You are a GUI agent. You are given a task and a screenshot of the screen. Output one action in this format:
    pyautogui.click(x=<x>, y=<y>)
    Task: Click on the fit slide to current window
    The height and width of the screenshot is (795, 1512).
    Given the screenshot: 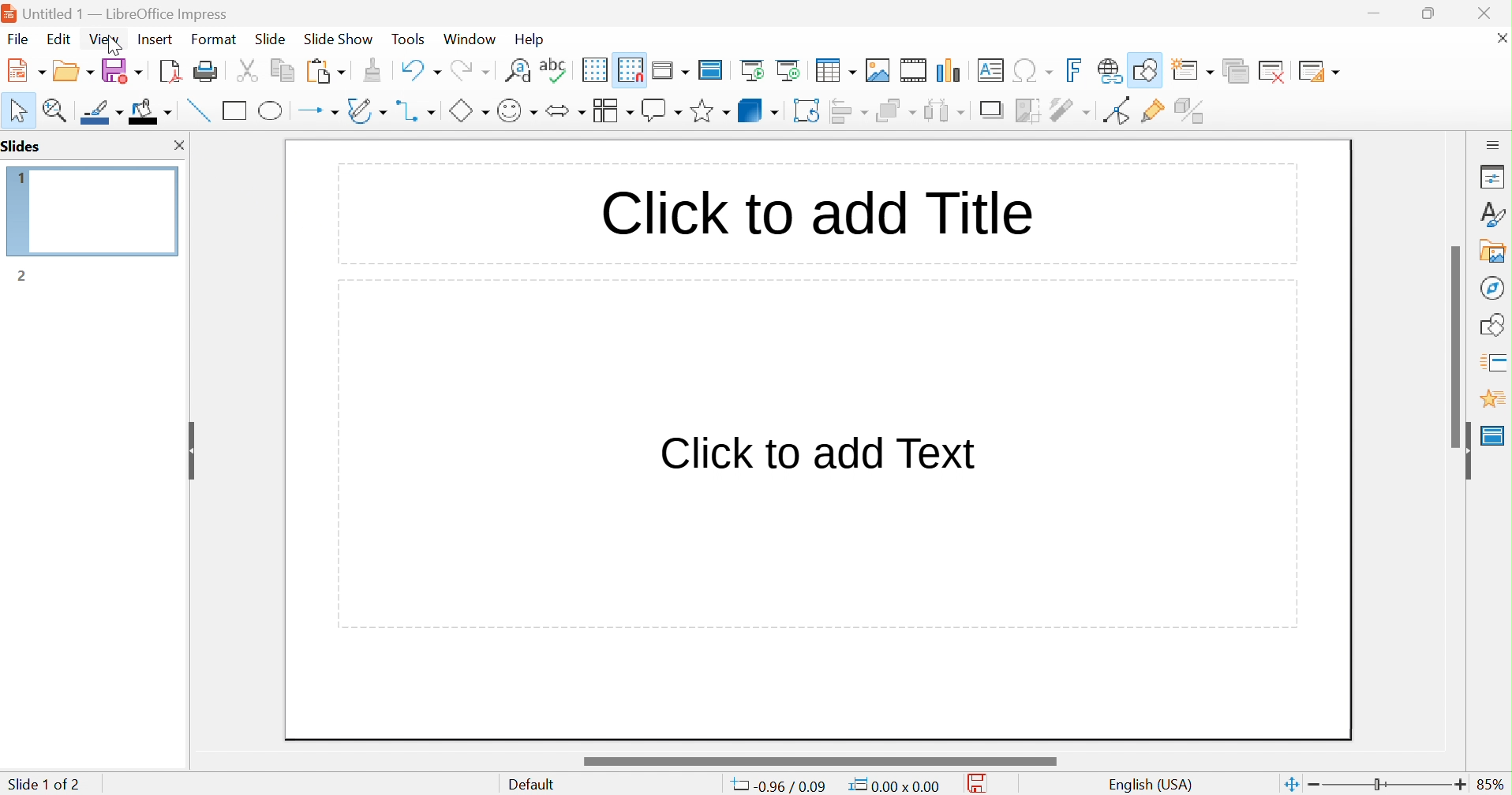 What is the action you would take?
    pyautogui.click(x=1290, y=783)
    